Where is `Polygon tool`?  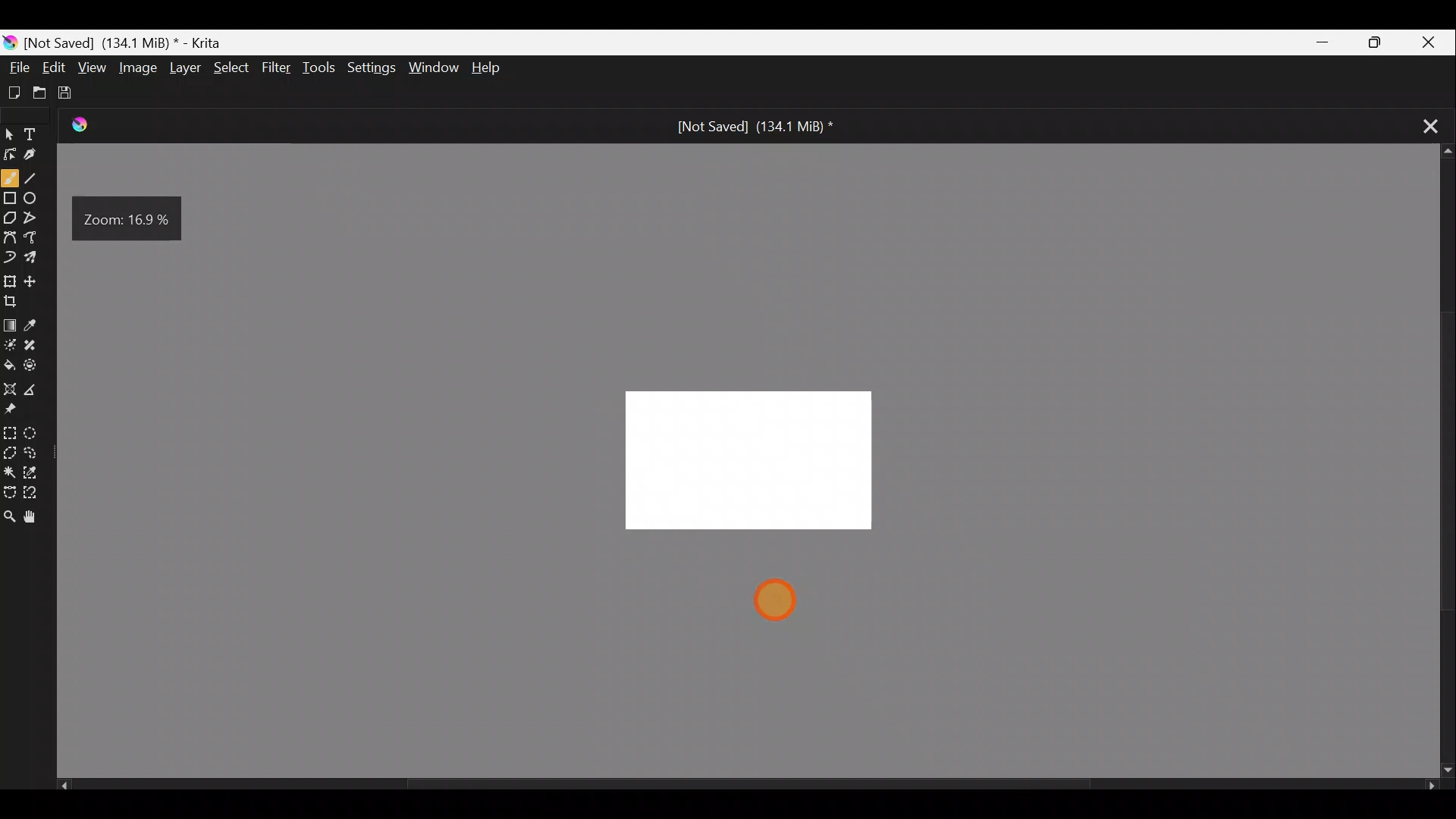 Polygon tool is located at coordinates (11, 219).